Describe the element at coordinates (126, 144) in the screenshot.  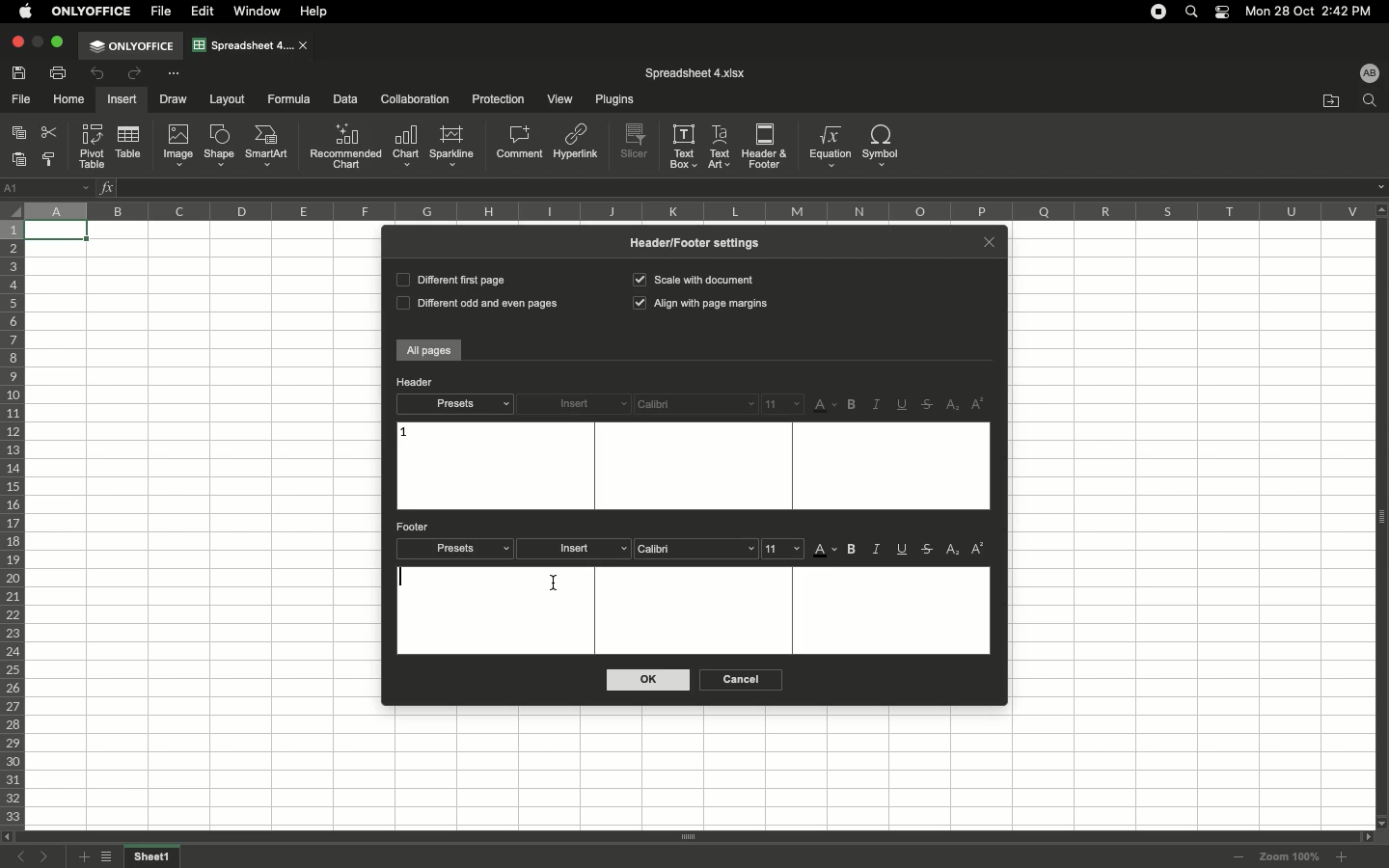
I see `Table` at that location.